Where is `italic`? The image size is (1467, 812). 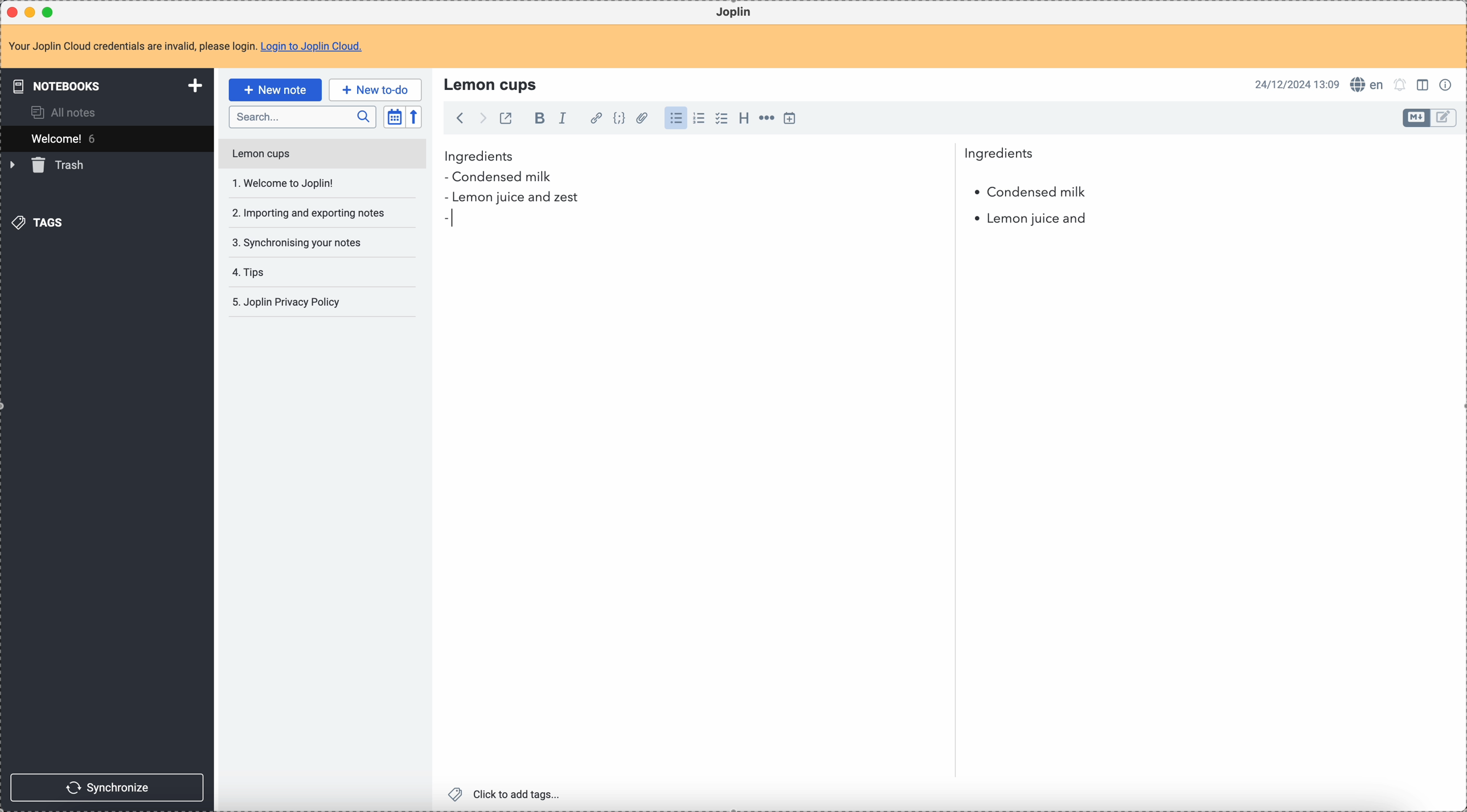 italic is located at coordinates (562, 117).